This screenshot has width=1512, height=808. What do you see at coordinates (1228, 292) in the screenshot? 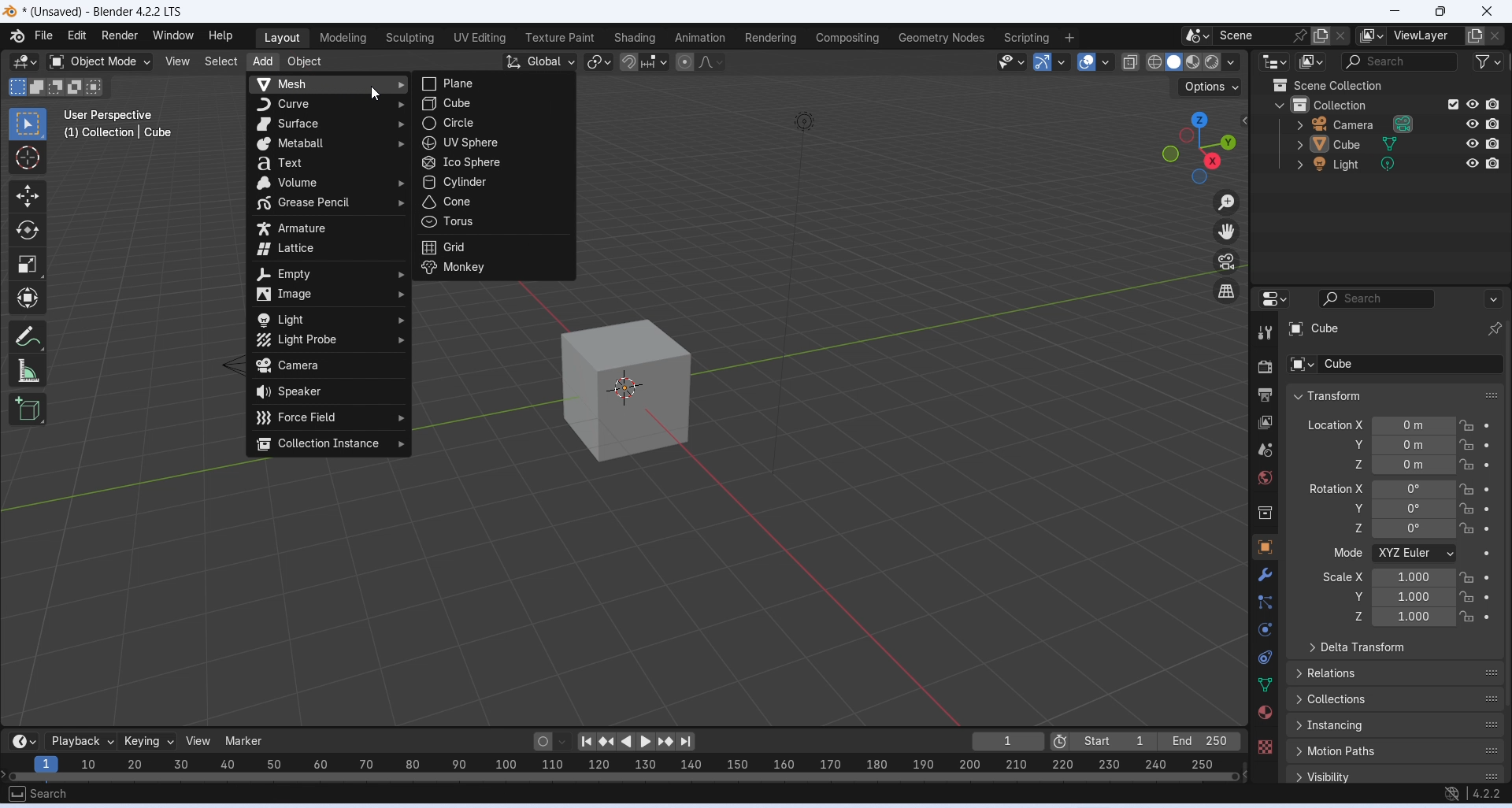
I see `Switch the current view from the prespective` at bounding box center [1228, 292].